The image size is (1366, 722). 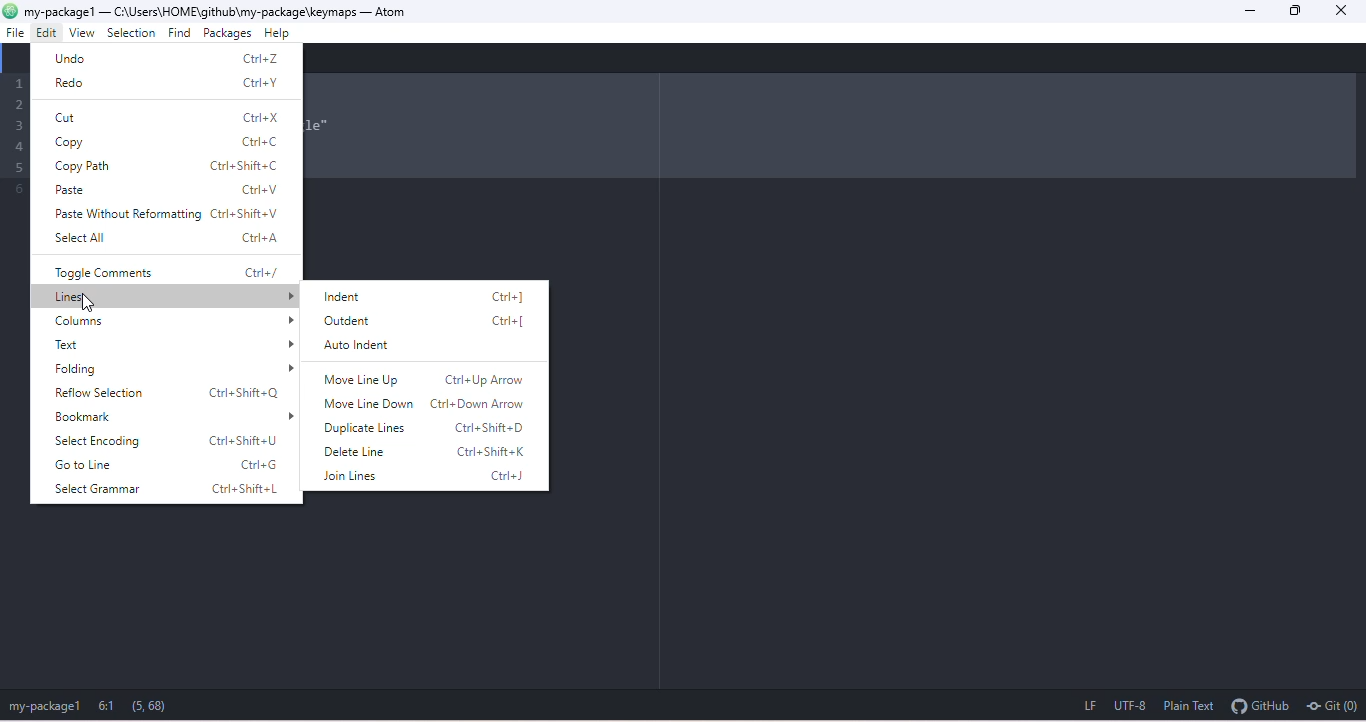 What do you see at coordinates (44, 707) in the screenshot?
I see `my package1` at bounding box center [44, 707].